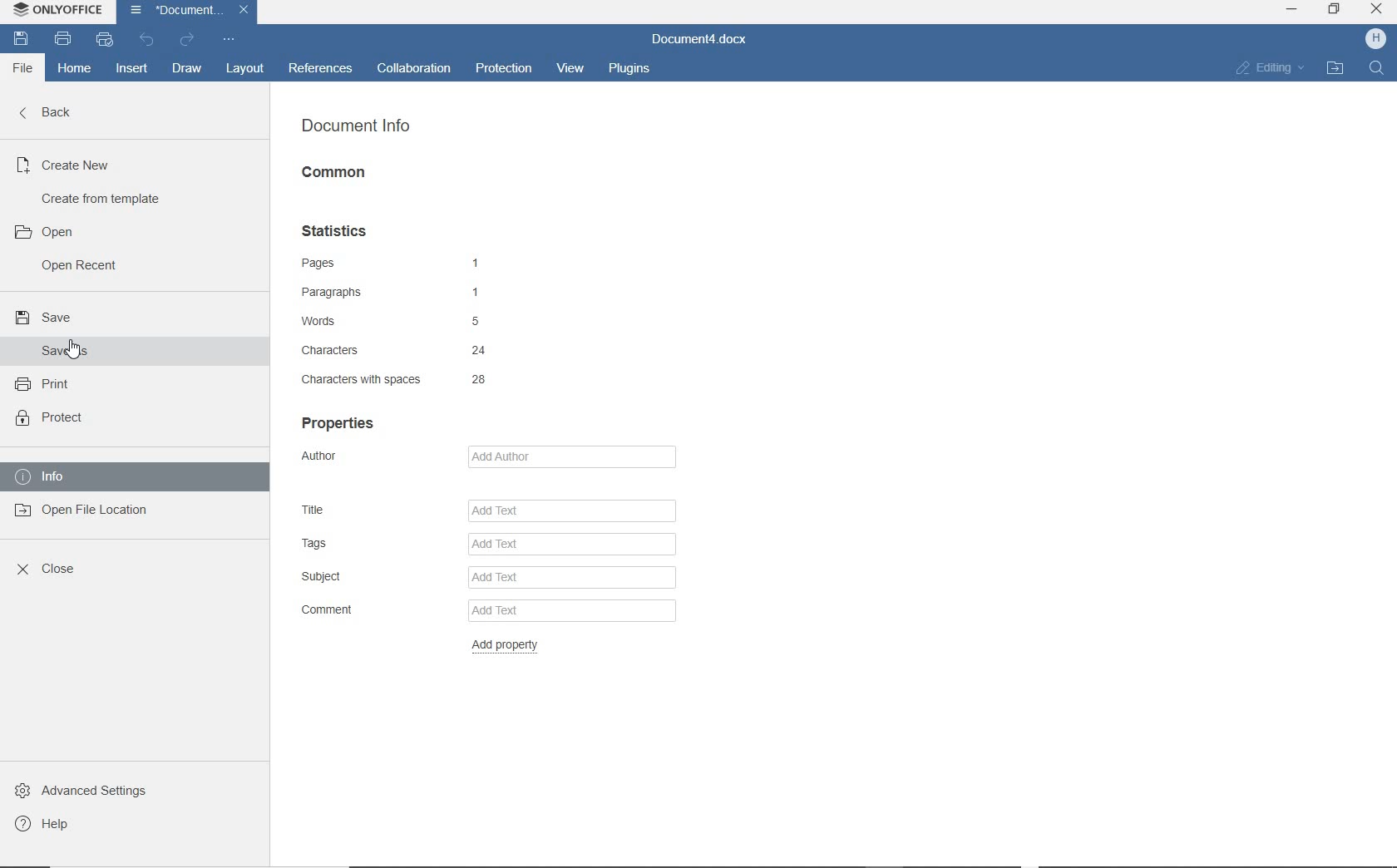  What do you see at coordinates (1370, 40) in the screenshot?
I see `H` at bounding box center [1370, 40].